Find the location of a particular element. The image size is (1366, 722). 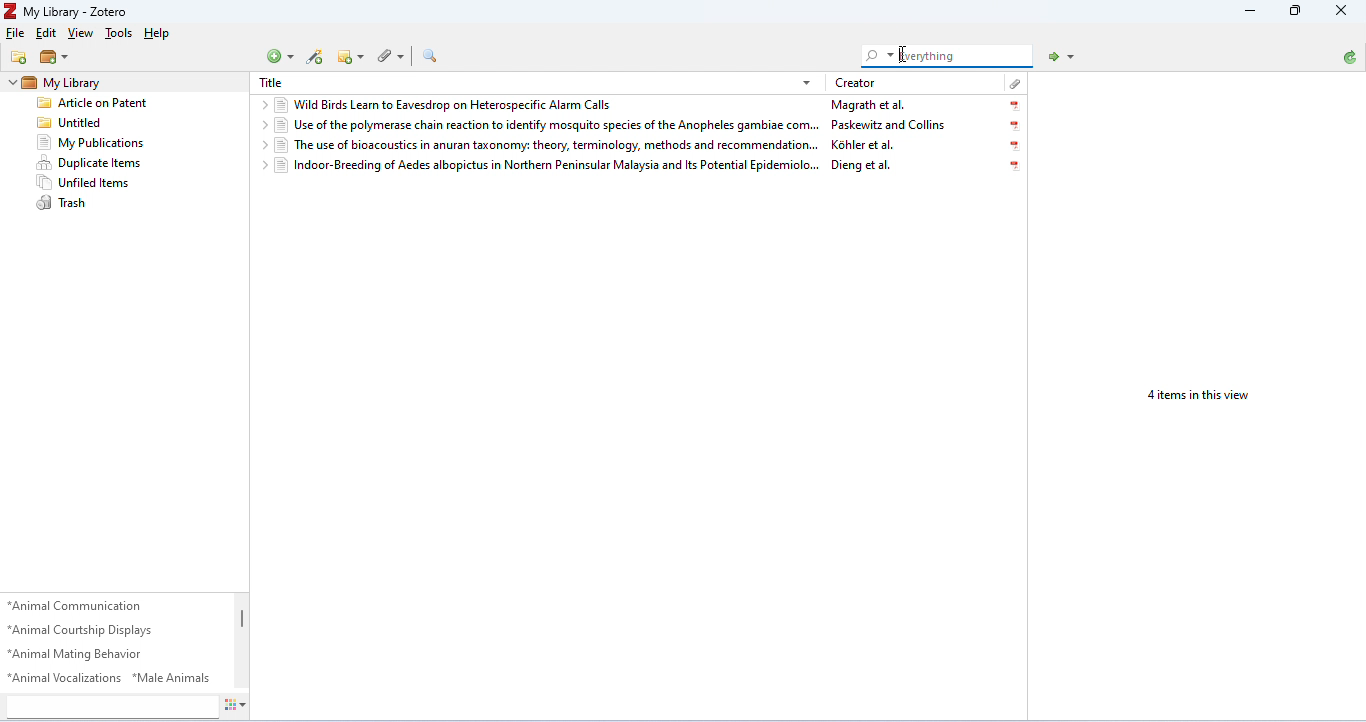

Unfiled tems is located at coordinates (106, 181).